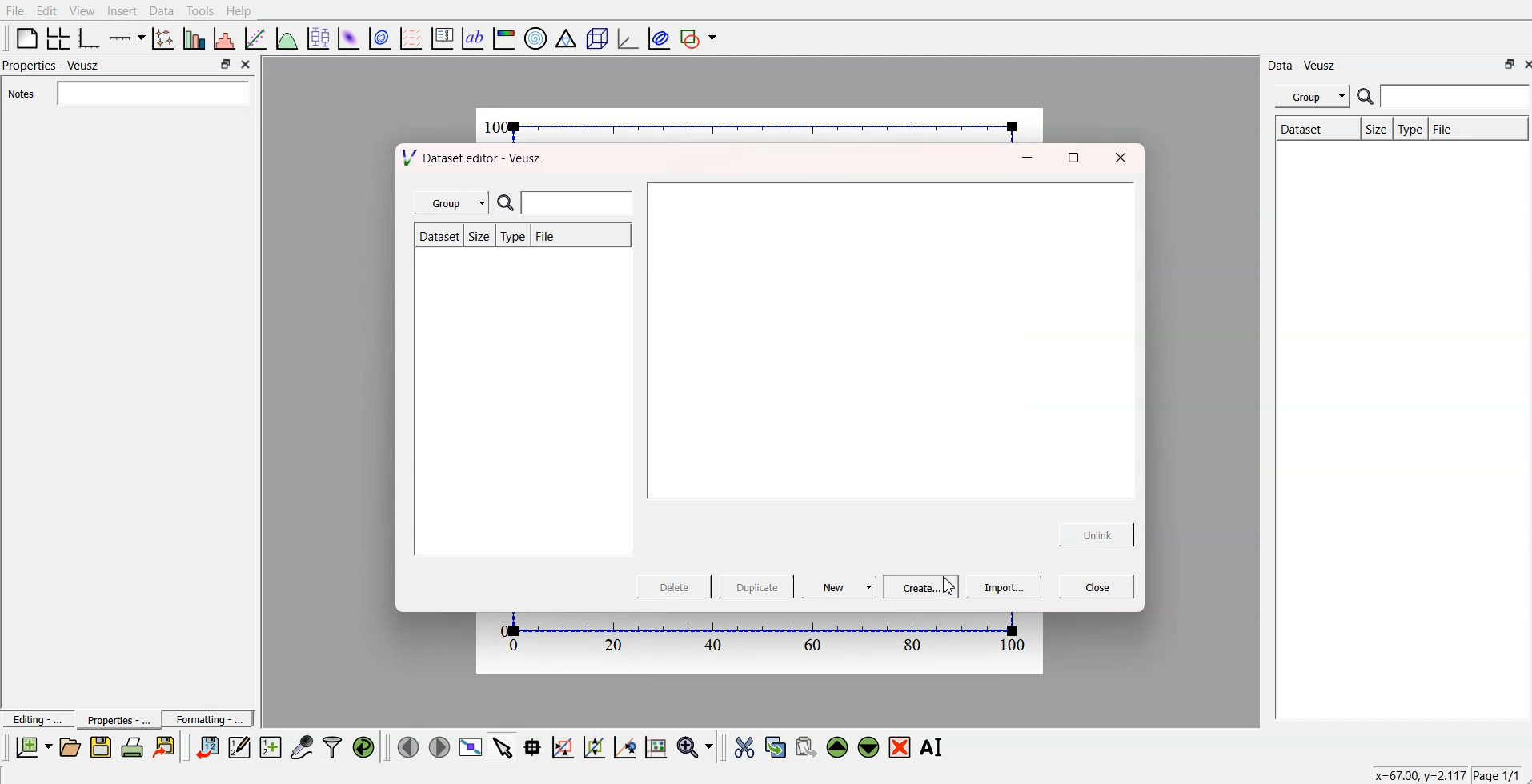  Describe the element at coordinates (744, 746) in the screenshot. I see `Cut` at that location.